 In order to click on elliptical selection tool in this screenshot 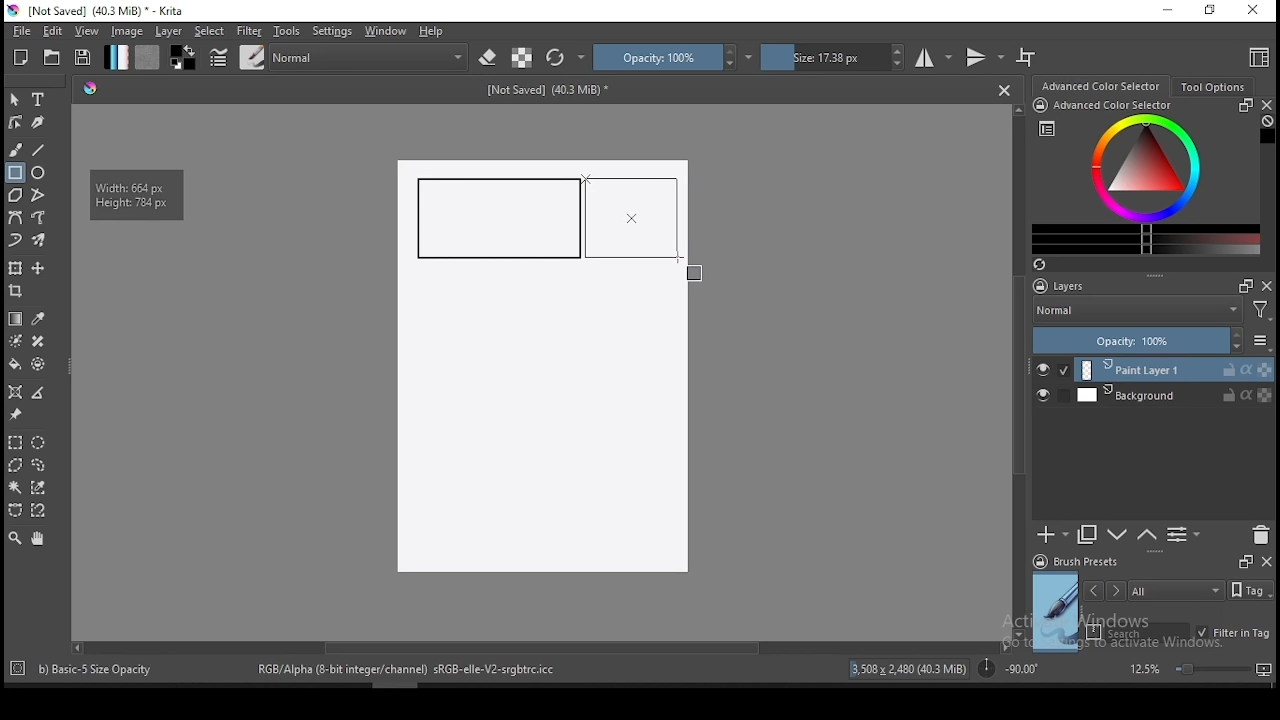, I will do `click(38, 443)`.